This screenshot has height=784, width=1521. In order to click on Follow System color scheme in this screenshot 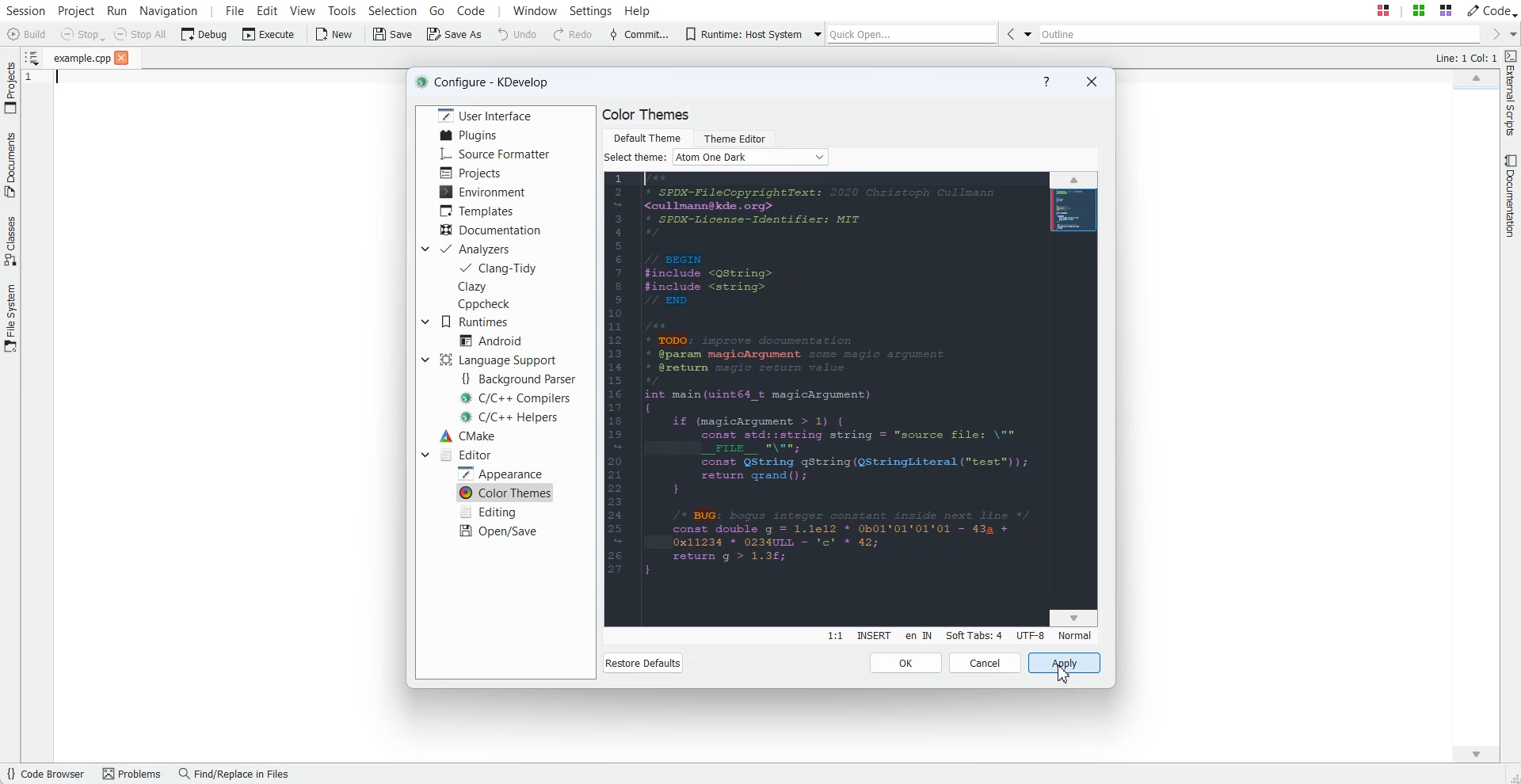, I will do `click(751, 157)`.